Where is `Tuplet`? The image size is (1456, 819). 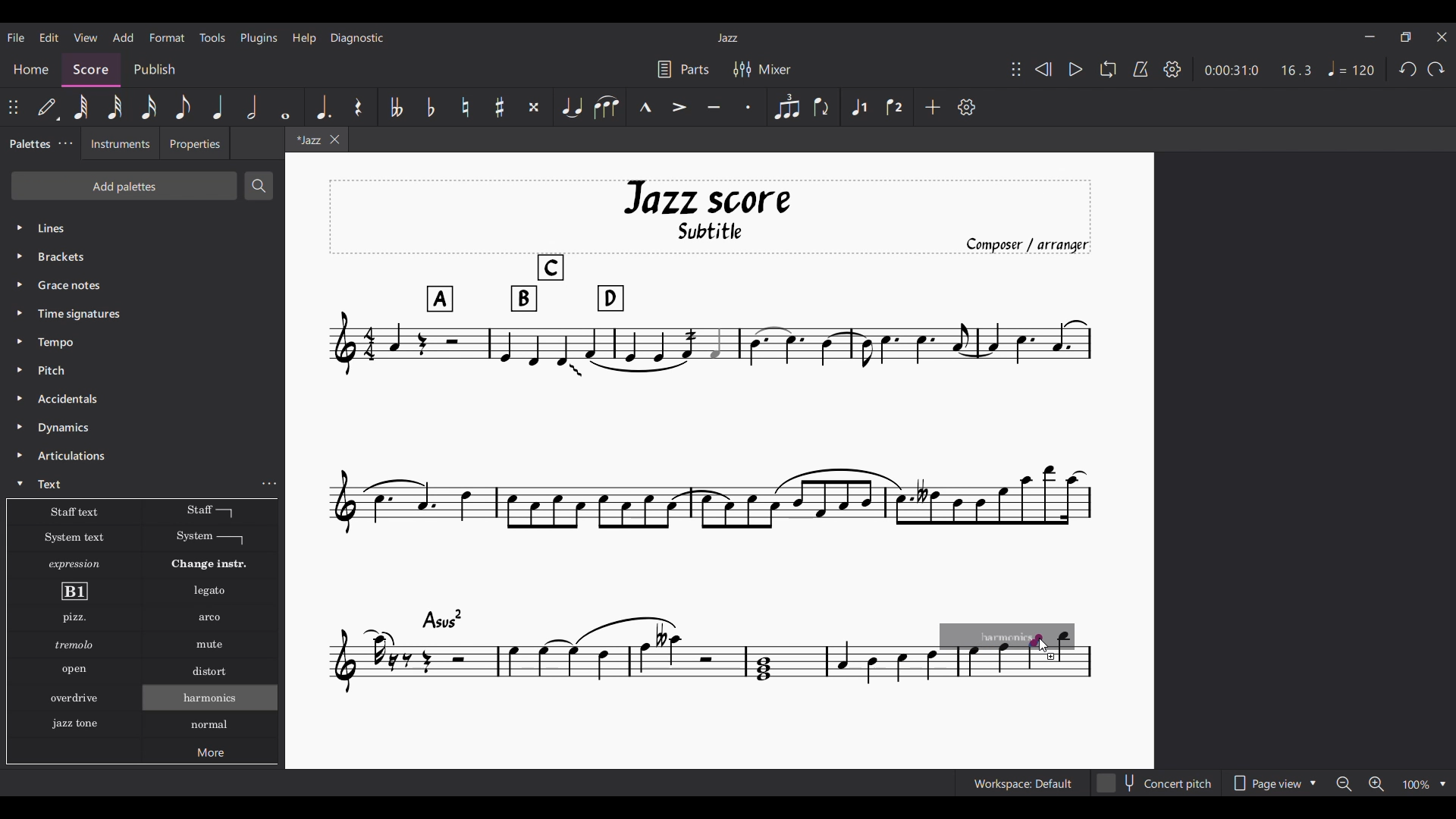 Tuplet is located at coordinates (786, 107).